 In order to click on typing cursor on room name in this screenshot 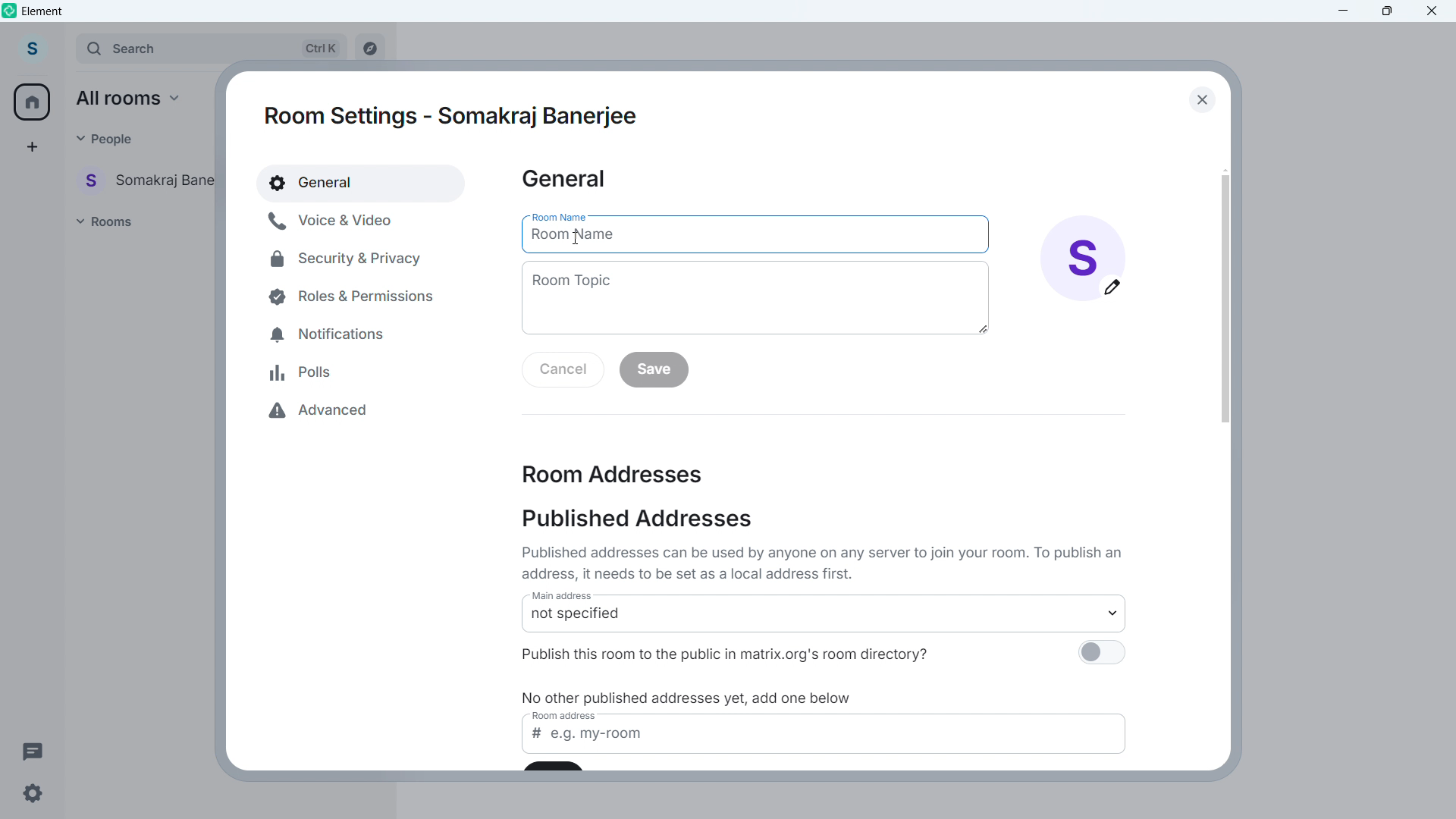, I will do `click(579, 237)`.